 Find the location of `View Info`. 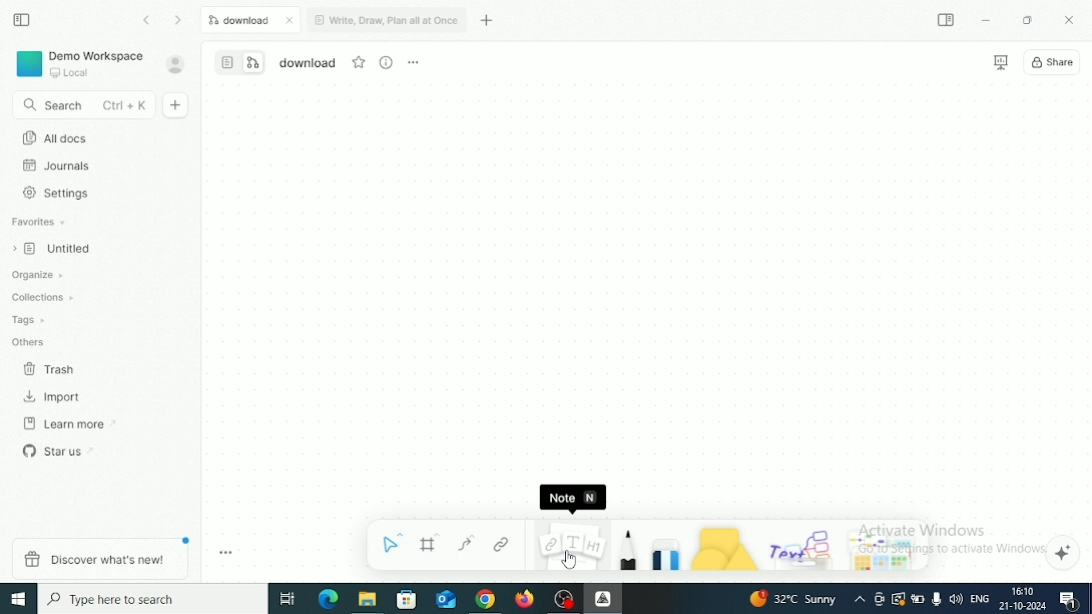

View Info is located at coordinates (387, 62).